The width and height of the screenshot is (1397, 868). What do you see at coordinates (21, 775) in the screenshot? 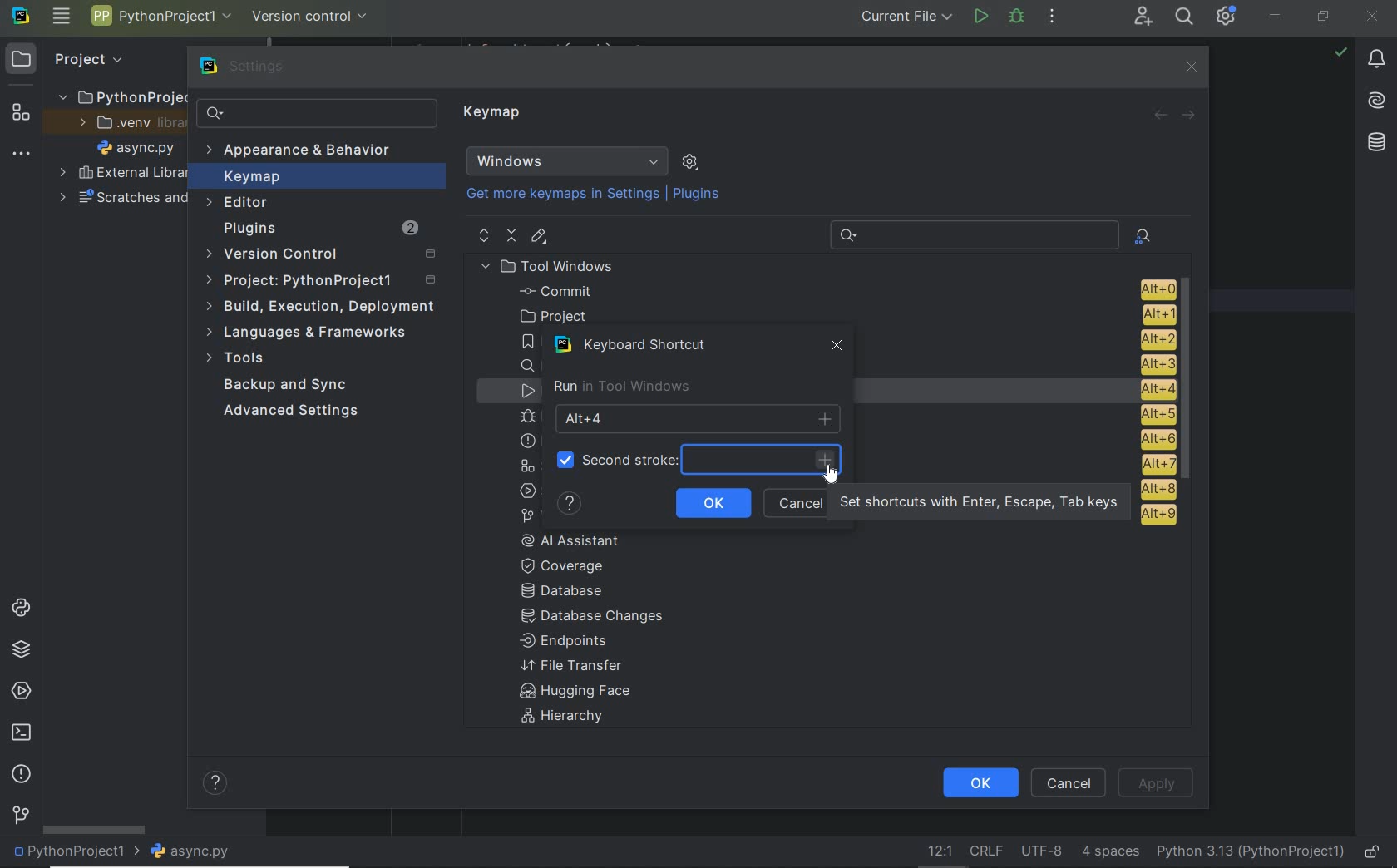
I see `problems` at bounding box center [21, 775].